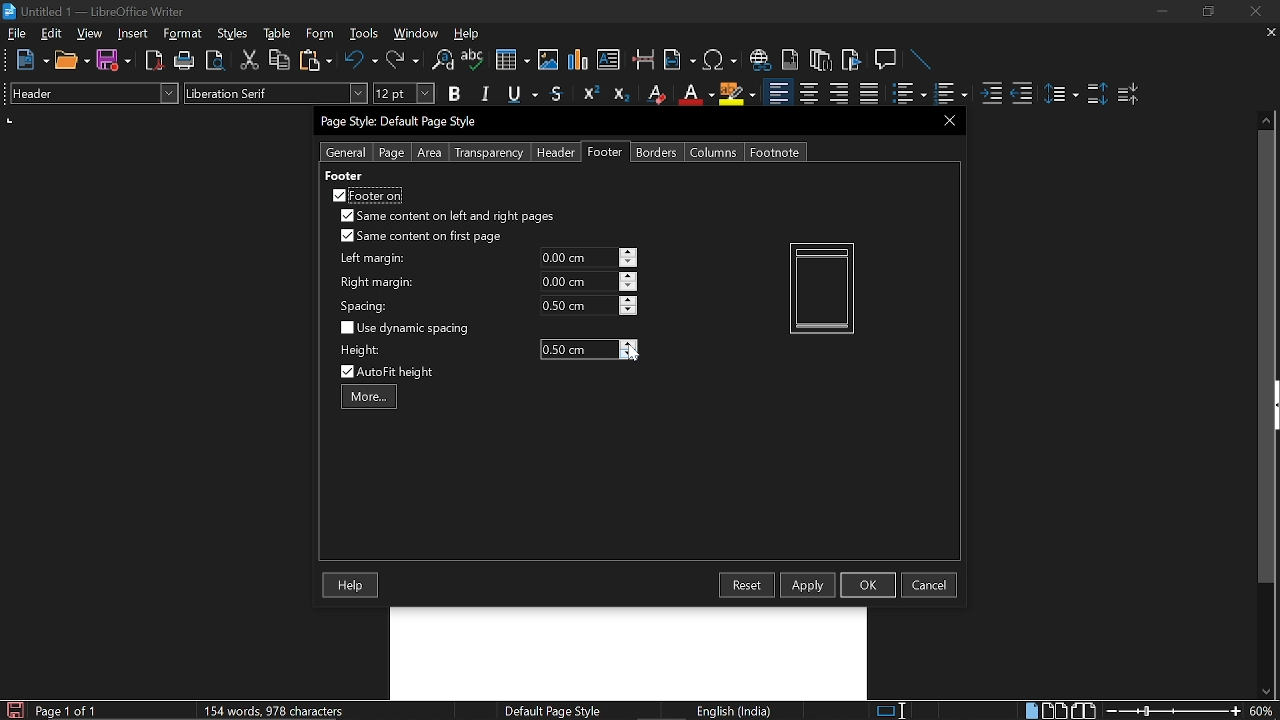 The width and height of the screenshot is (1280, 720). What do you see at coordinates (629, 263) in the screenshot?
I see `decrease left margin` at bounding box center [629, 263].